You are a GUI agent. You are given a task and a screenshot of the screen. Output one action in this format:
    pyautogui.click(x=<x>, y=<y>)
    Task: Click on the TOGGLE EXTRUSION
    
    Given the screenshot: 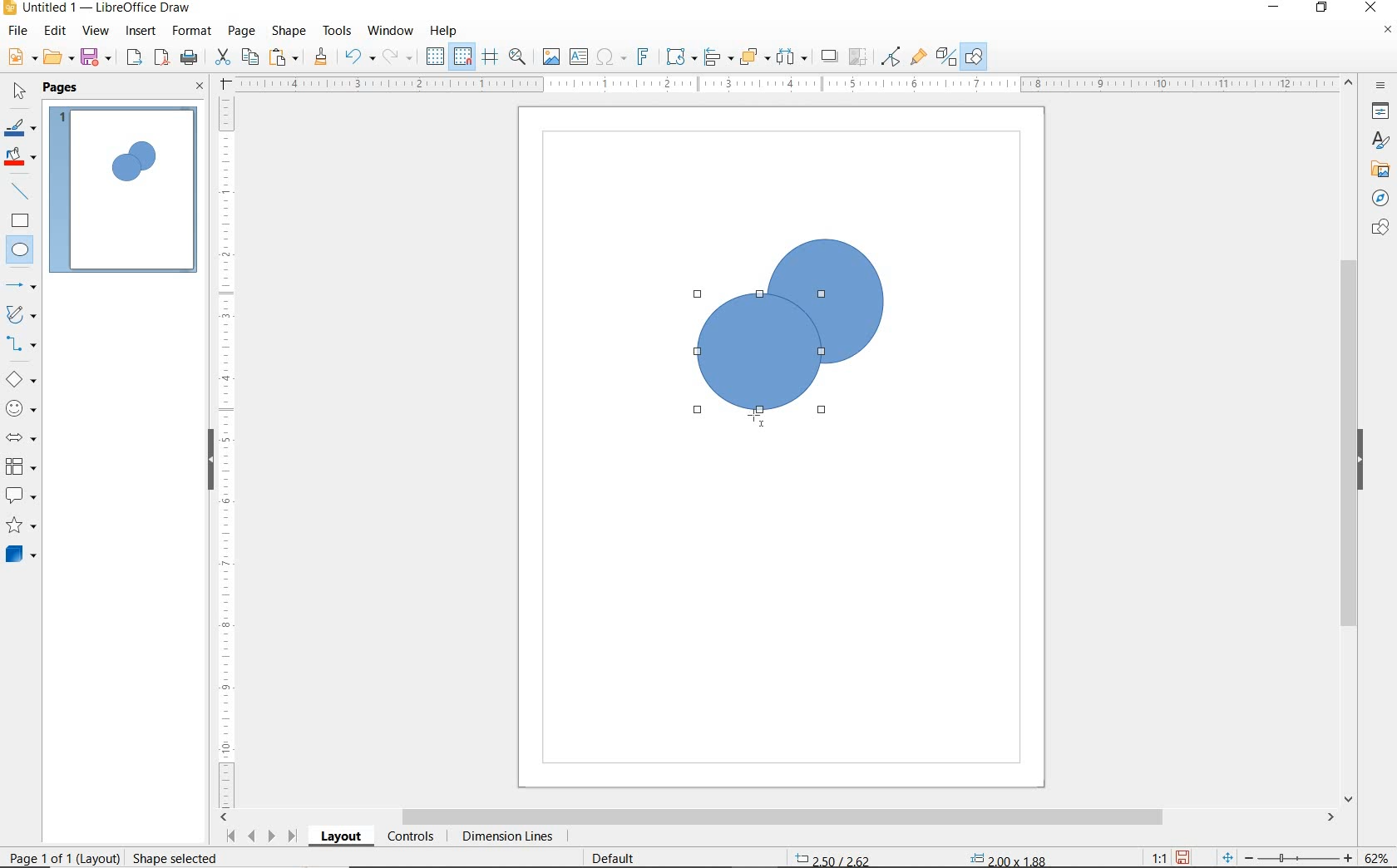 What is the action you would take?
    pyautogui.click(x=946, y=58)
    